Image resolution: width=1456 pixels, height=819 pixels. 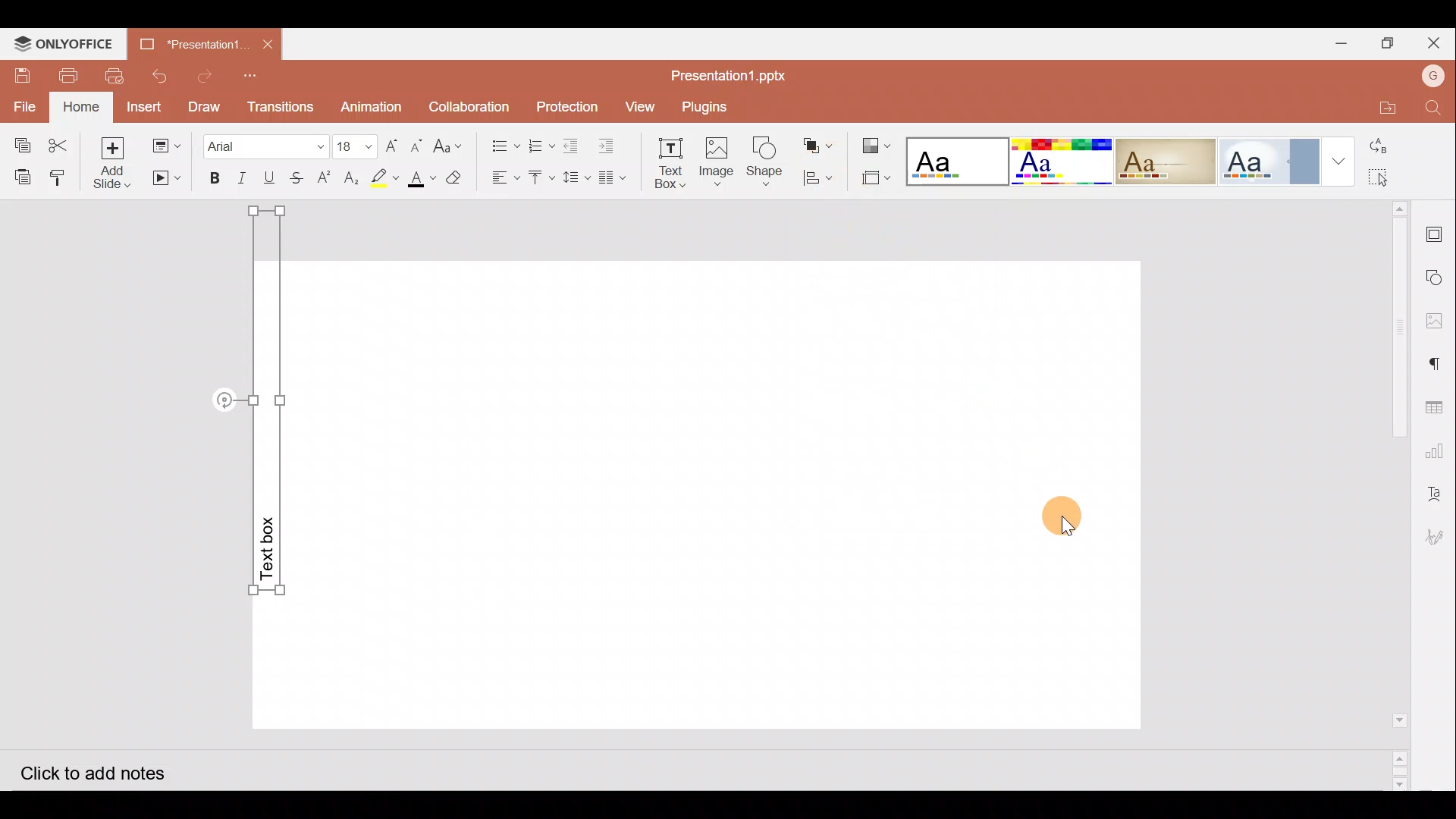 What do you see at coordinates (456, 181) in the screenshot?
I see `Clear style` at bounding box center [456, 181].